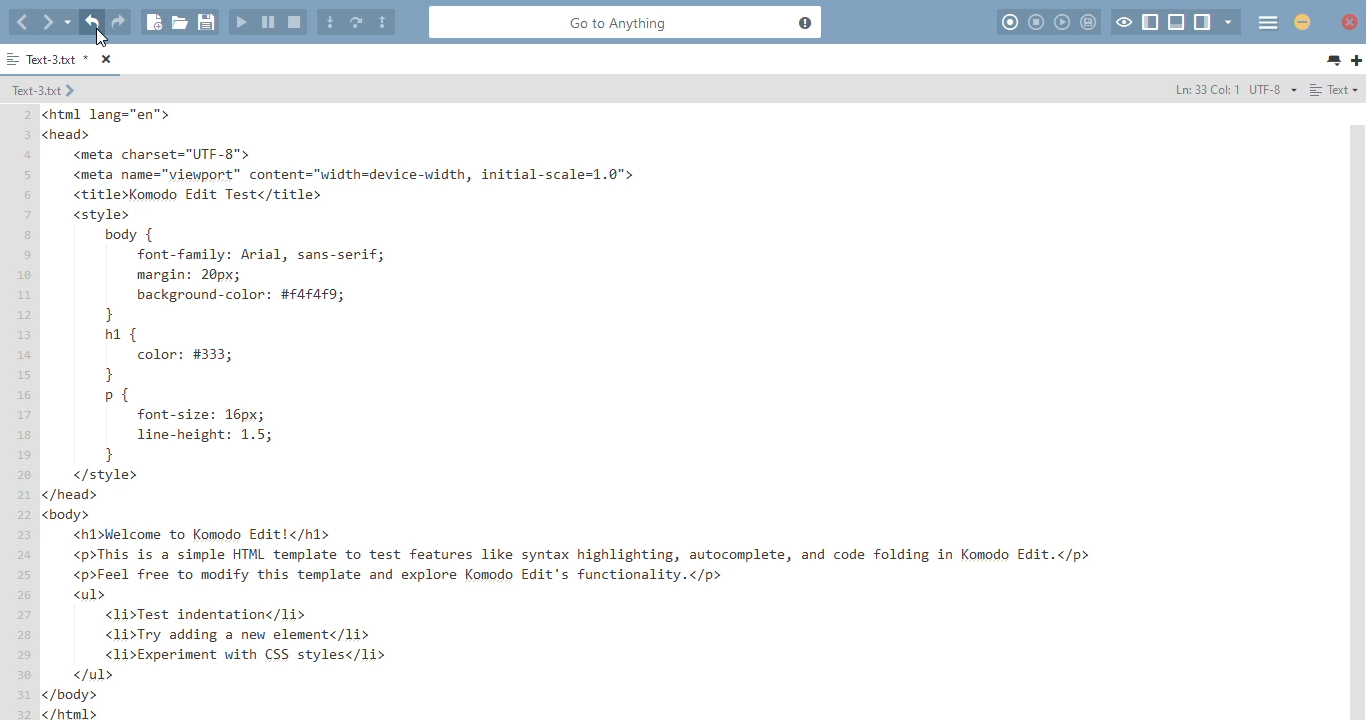  What do you see at coordinates (180, 23) in the screenshot?
I see `open file` at bounding box center [180, 23].